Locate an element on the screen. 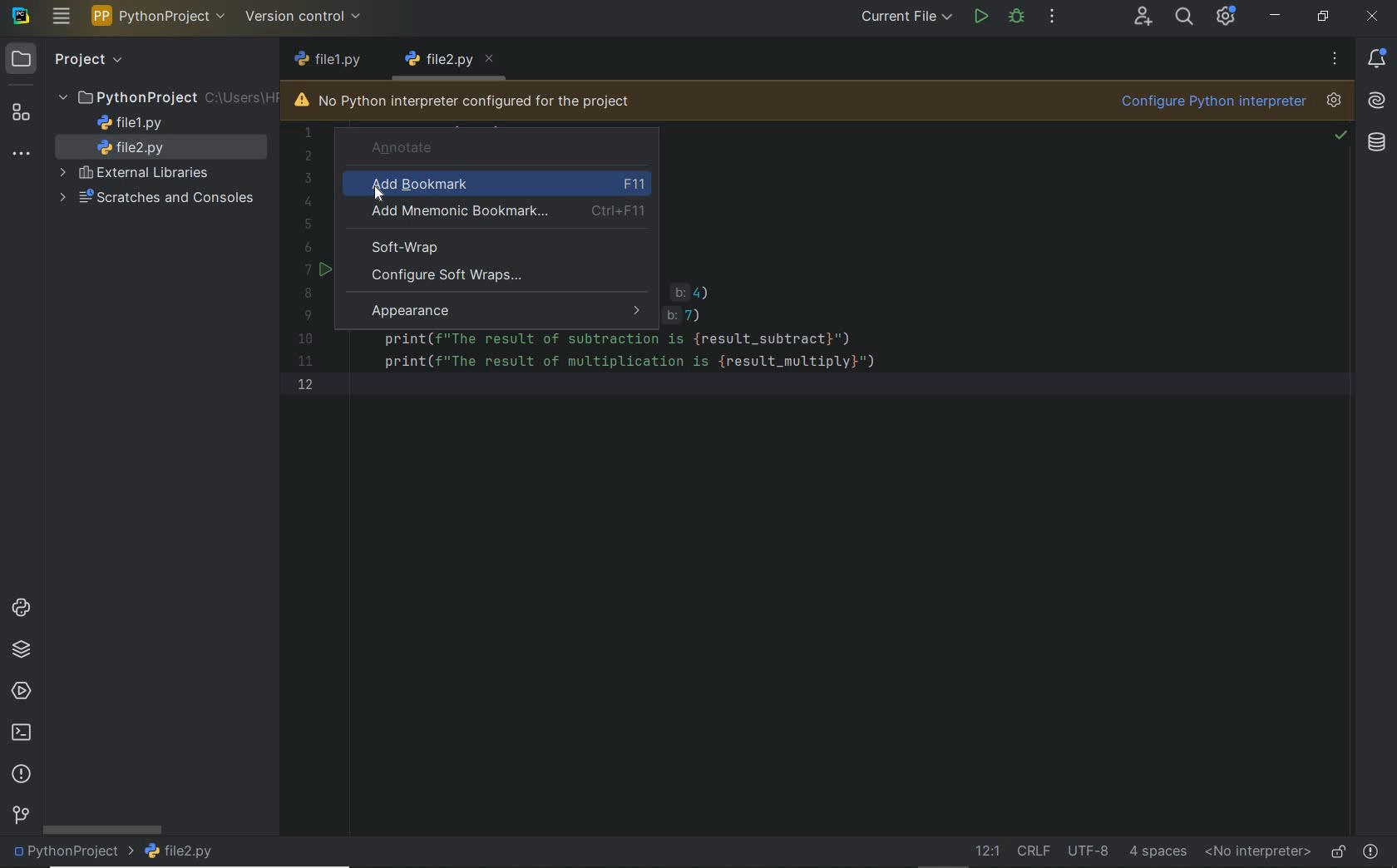  file name 2 is located at coordinates (137, 149).